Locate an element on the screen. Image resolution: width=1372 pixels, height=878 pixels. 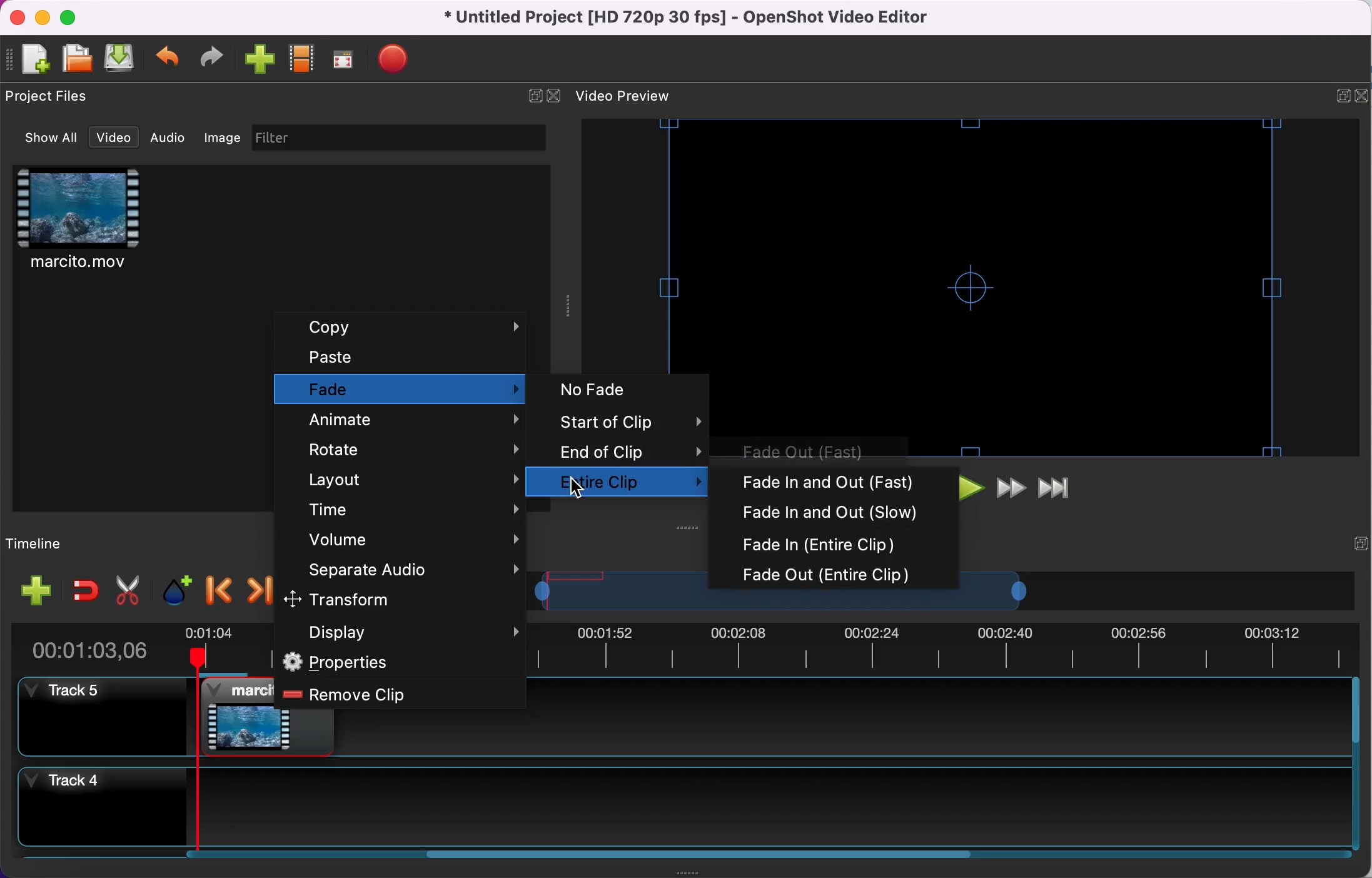
cut is located at coordinates (123, 591).